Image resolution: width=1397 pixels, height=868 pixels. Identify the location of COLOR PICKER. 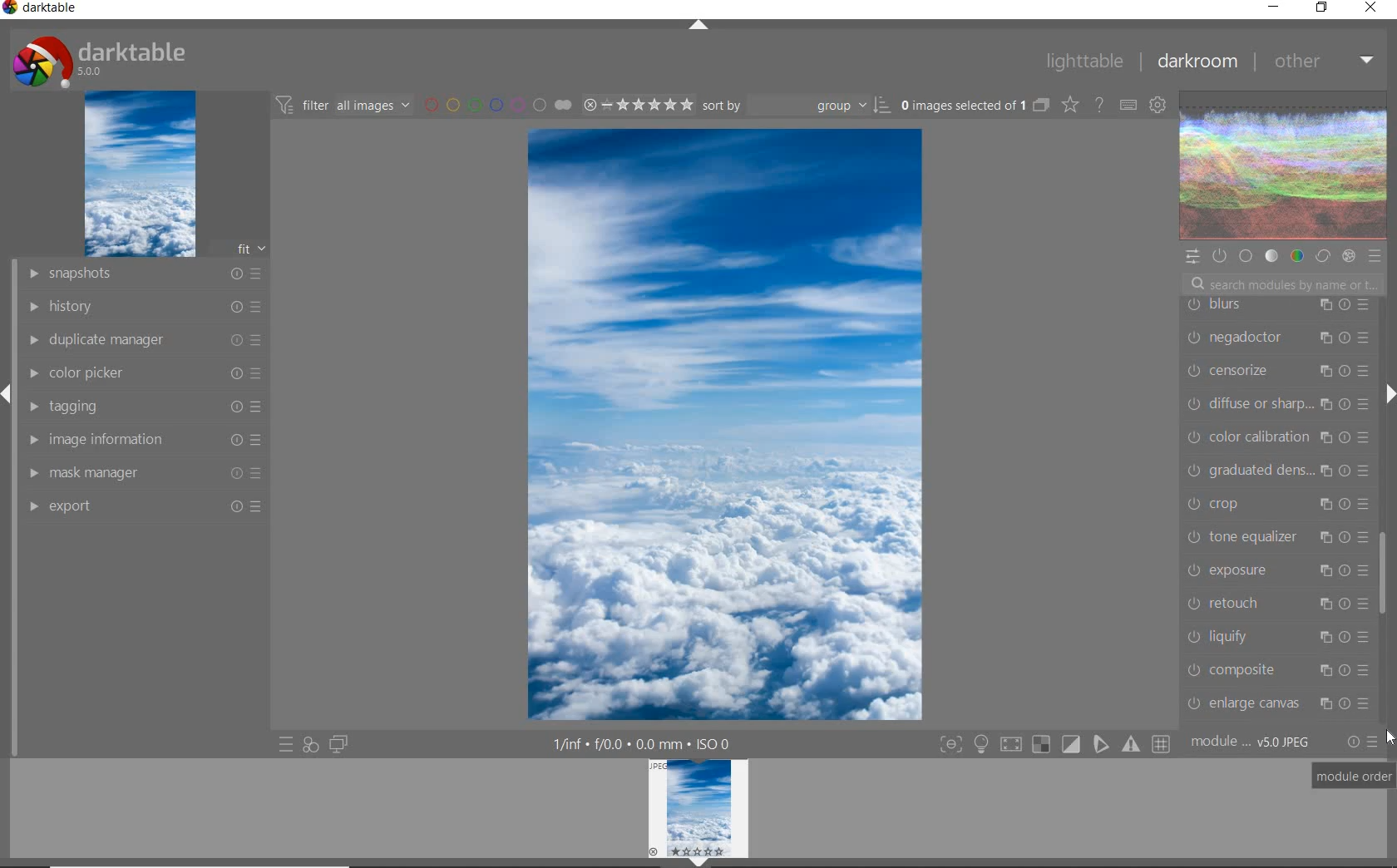
(146, 374).